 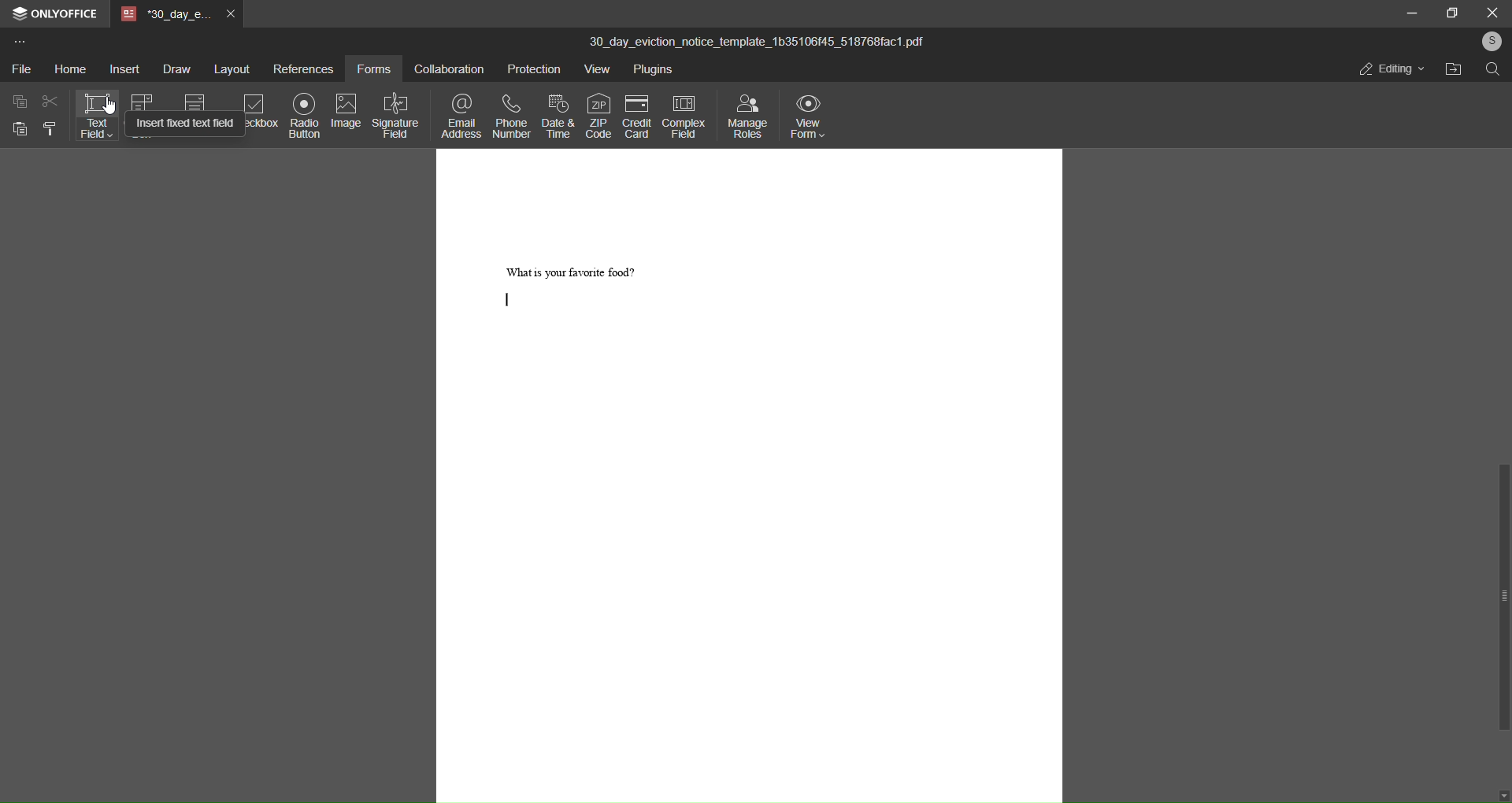 I want to click on open file location, so click(x=1450, y=68).